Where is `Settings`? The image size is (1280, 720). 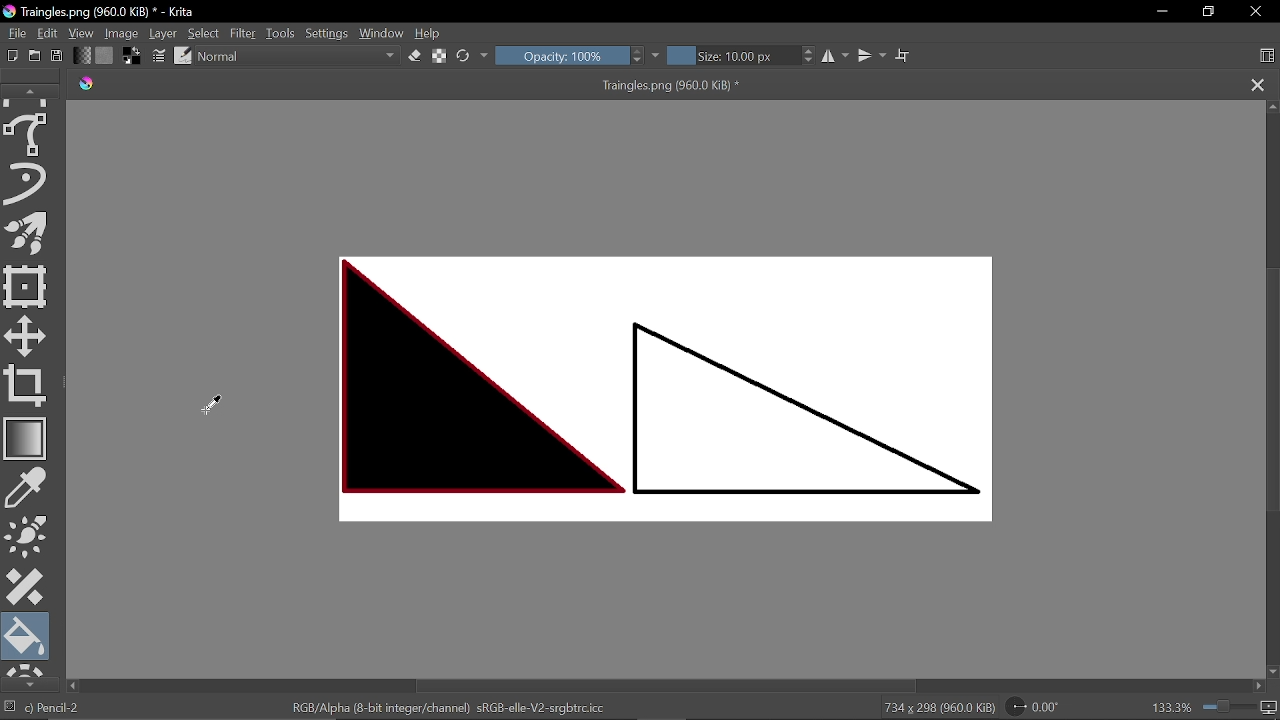 Settings is located at coordinates (327, 35).